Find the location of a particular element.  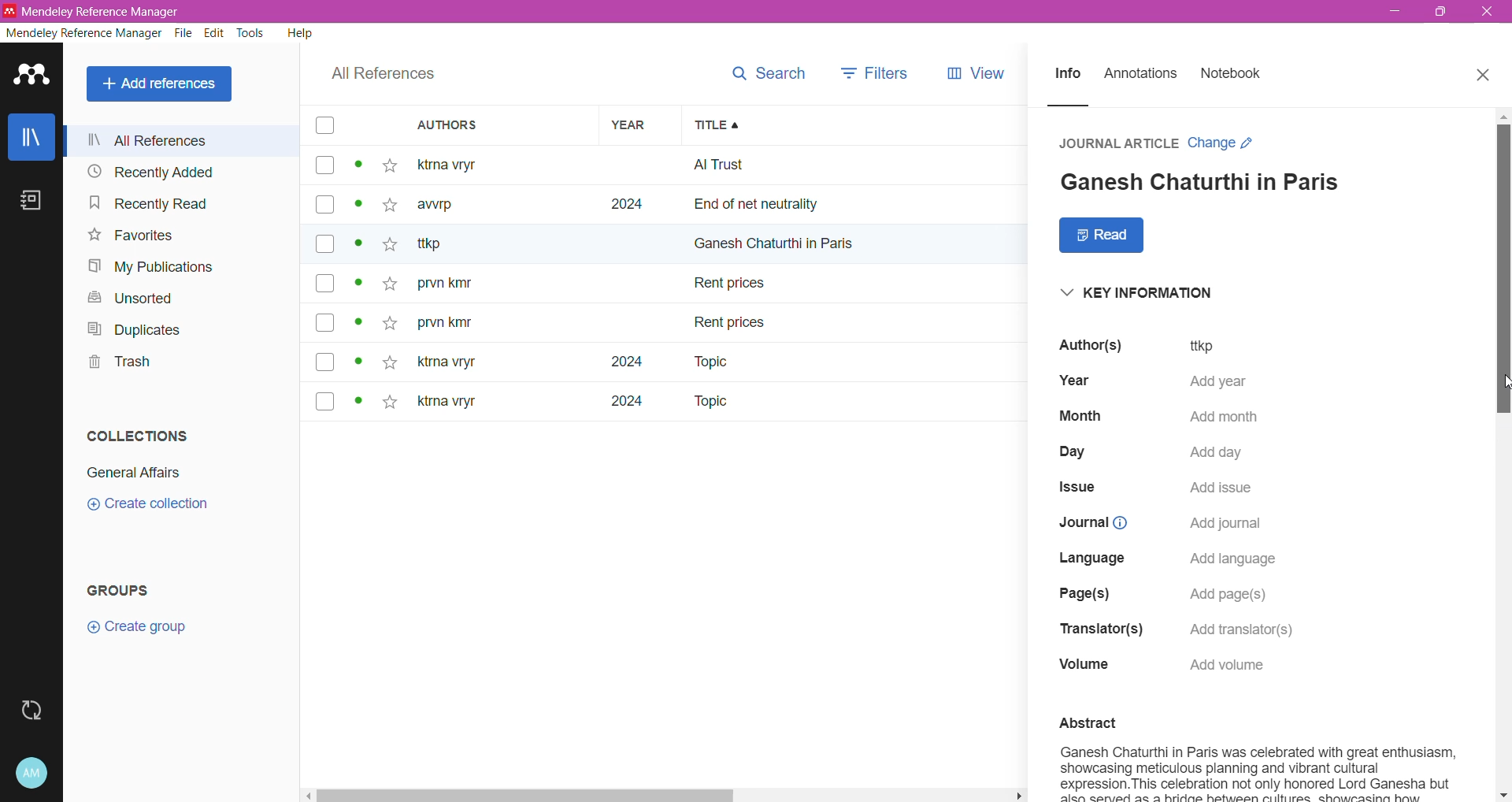

Authors is located at coordinates (504, 126).